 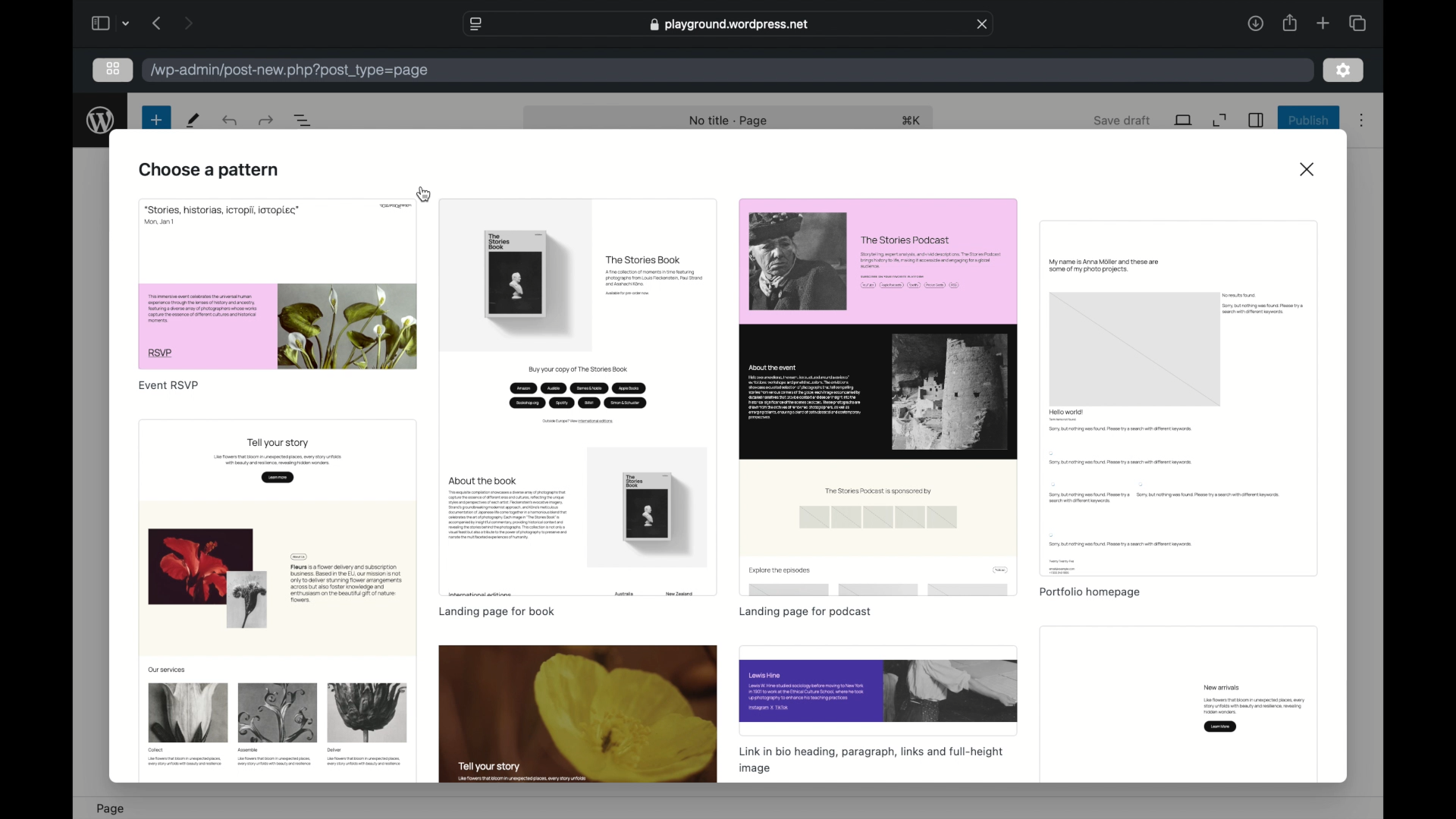 I want to click on choose pattern, so click(x=209, y=170).